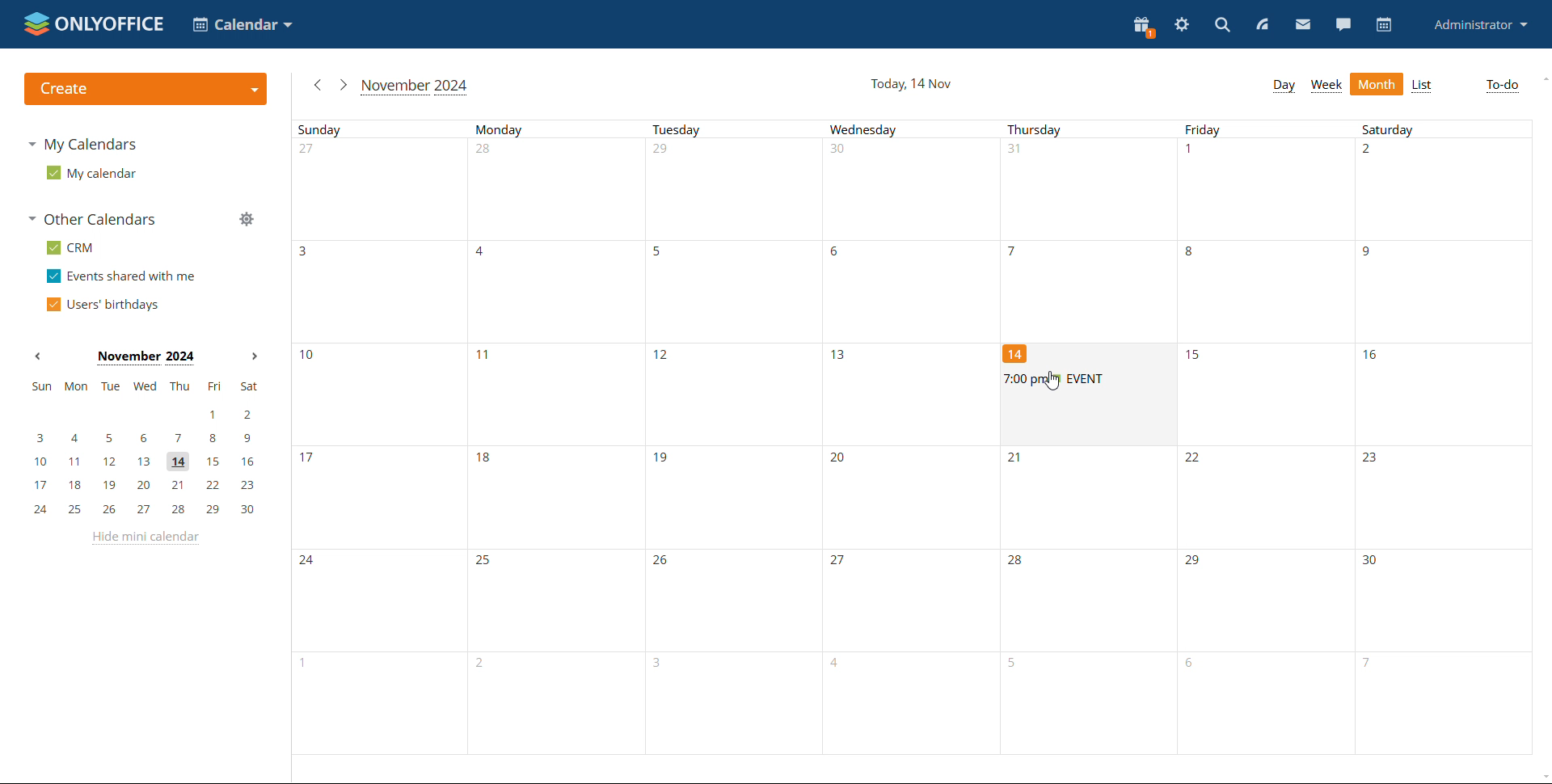 This screenshot has height=784, width=1552. I want to click on number, so click(1015, 251).